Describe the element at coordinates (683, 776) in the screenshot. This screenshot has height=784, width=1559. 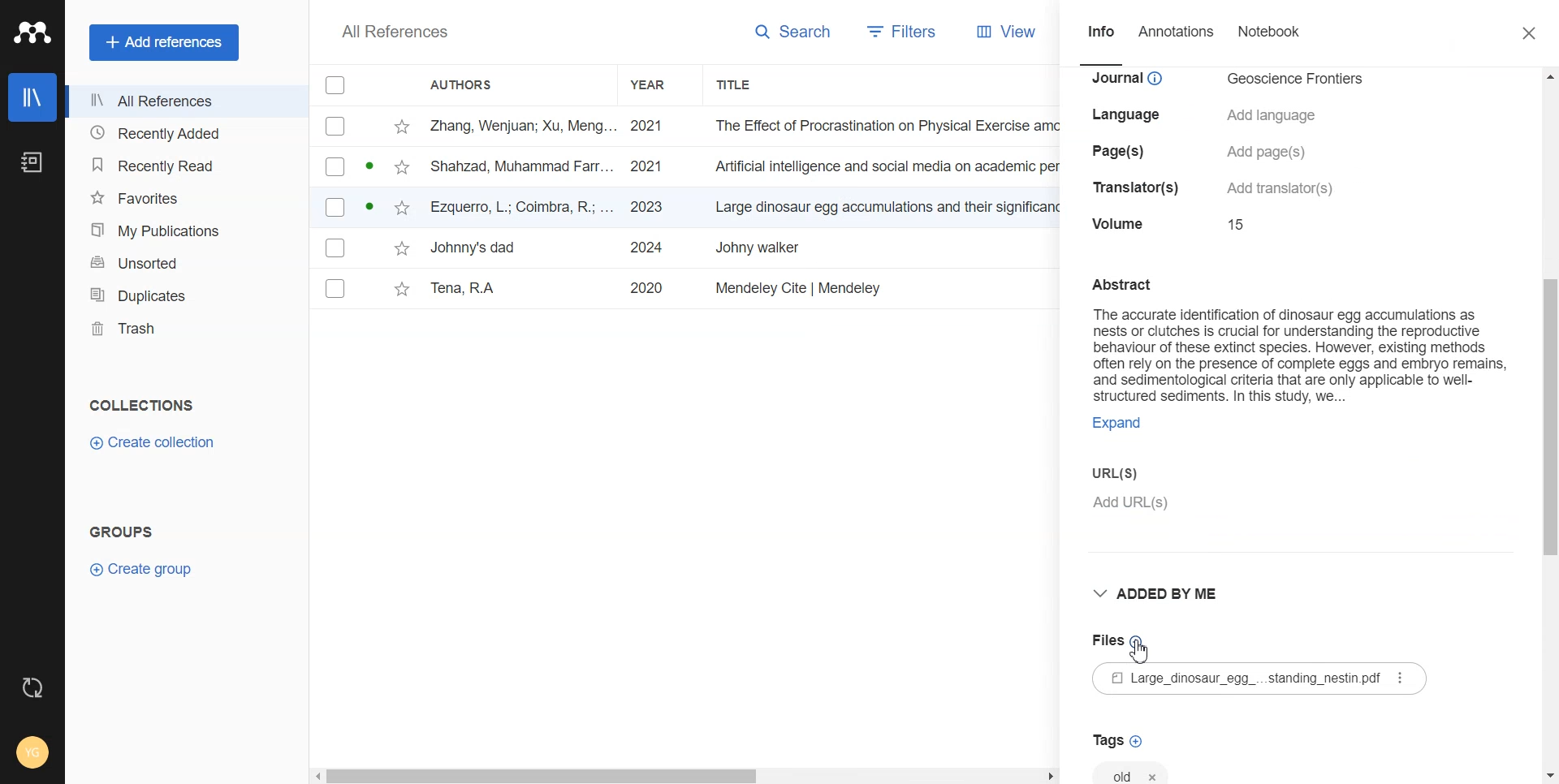
I see `Horizontal scroll bar` at that location.